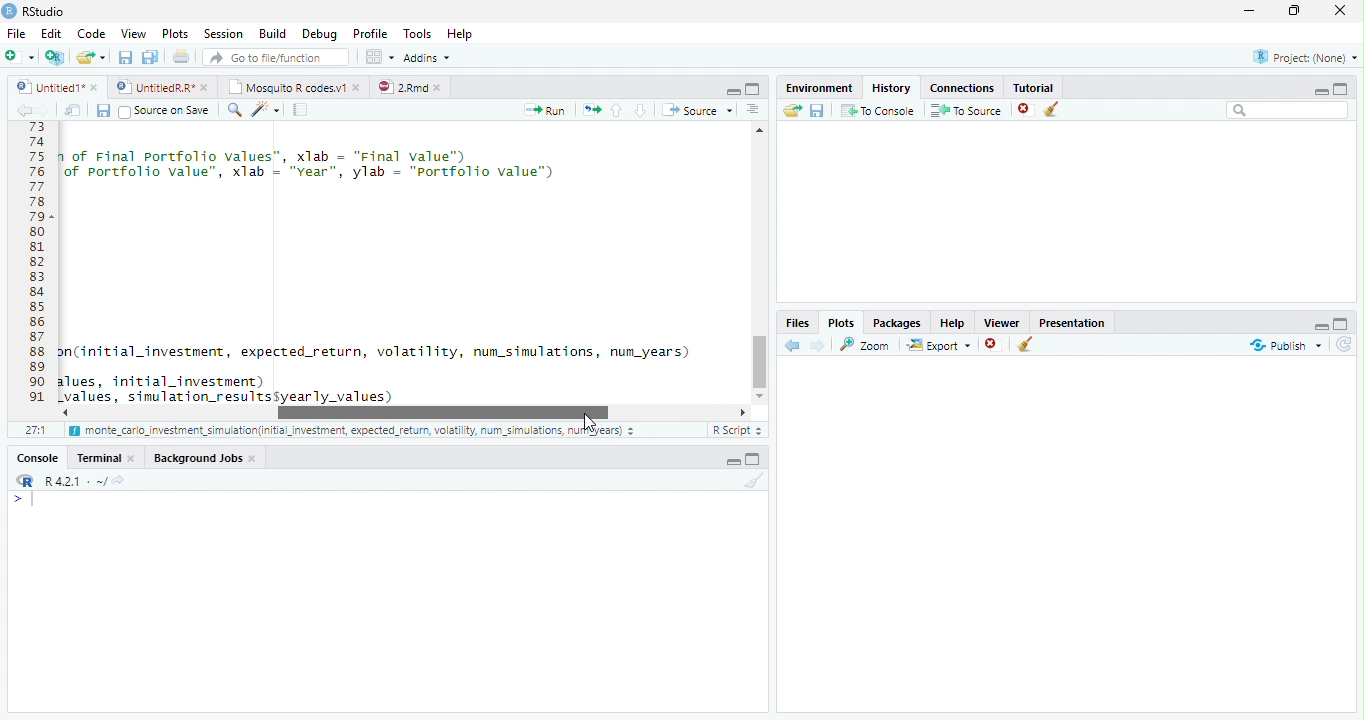  What do you see at coordinates (166, 111) in the screenshot?
I see `Source on save` at bounding box center [166, 111].